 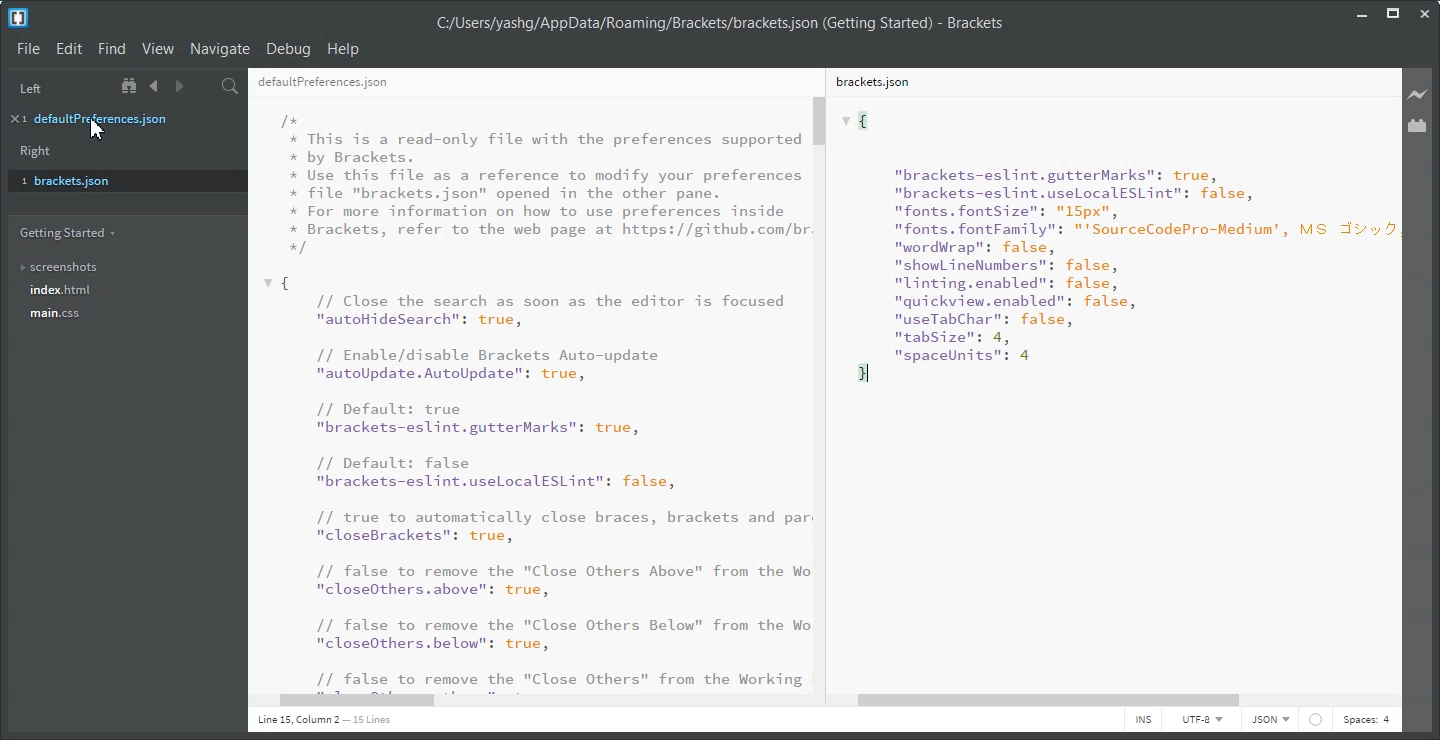 I want to click on Extension Manager, so click(x=1419, y=126).